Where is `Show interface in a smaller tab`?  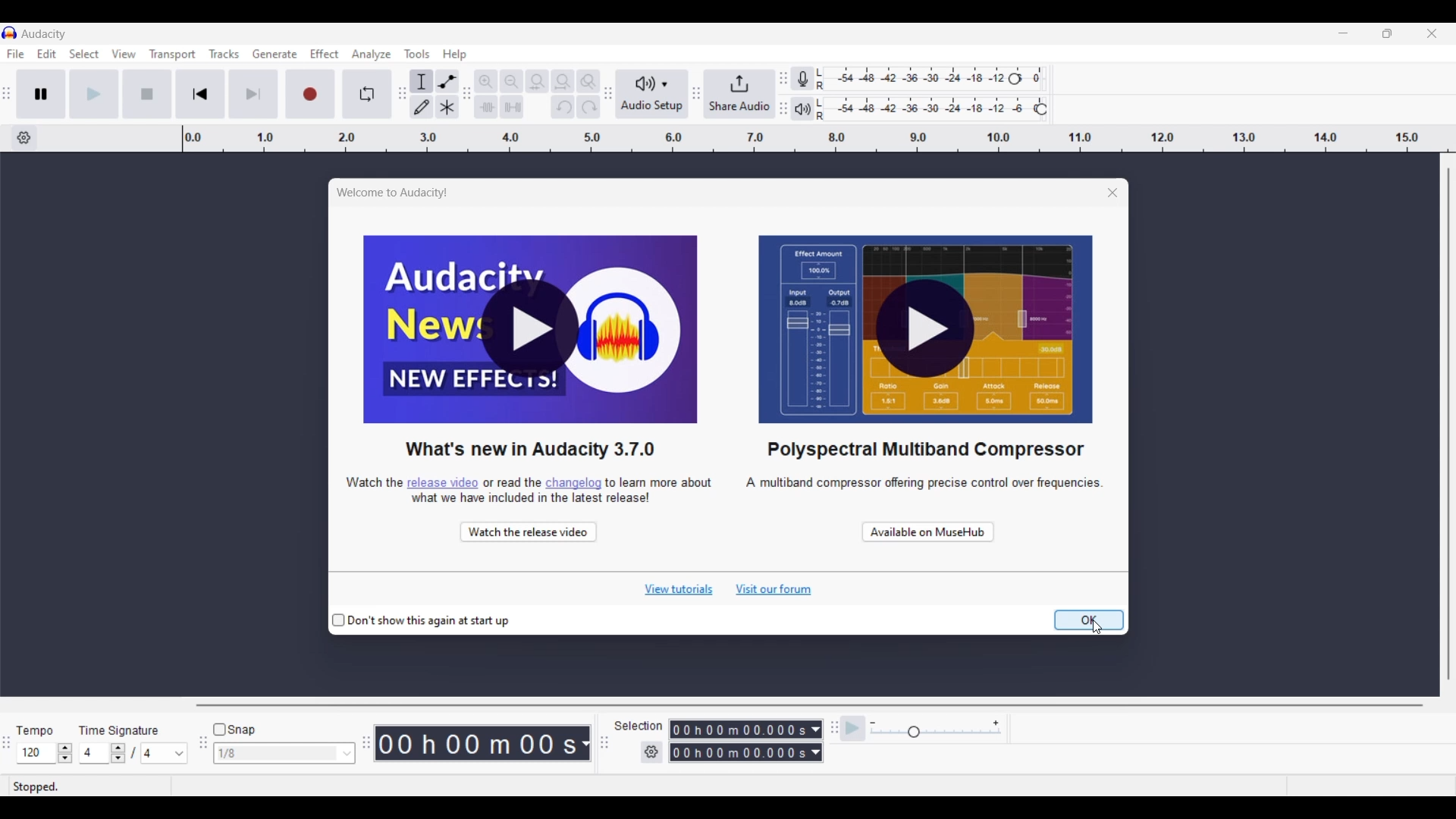
Show interface in a smaller tab is located at coordinates (1388, 33).